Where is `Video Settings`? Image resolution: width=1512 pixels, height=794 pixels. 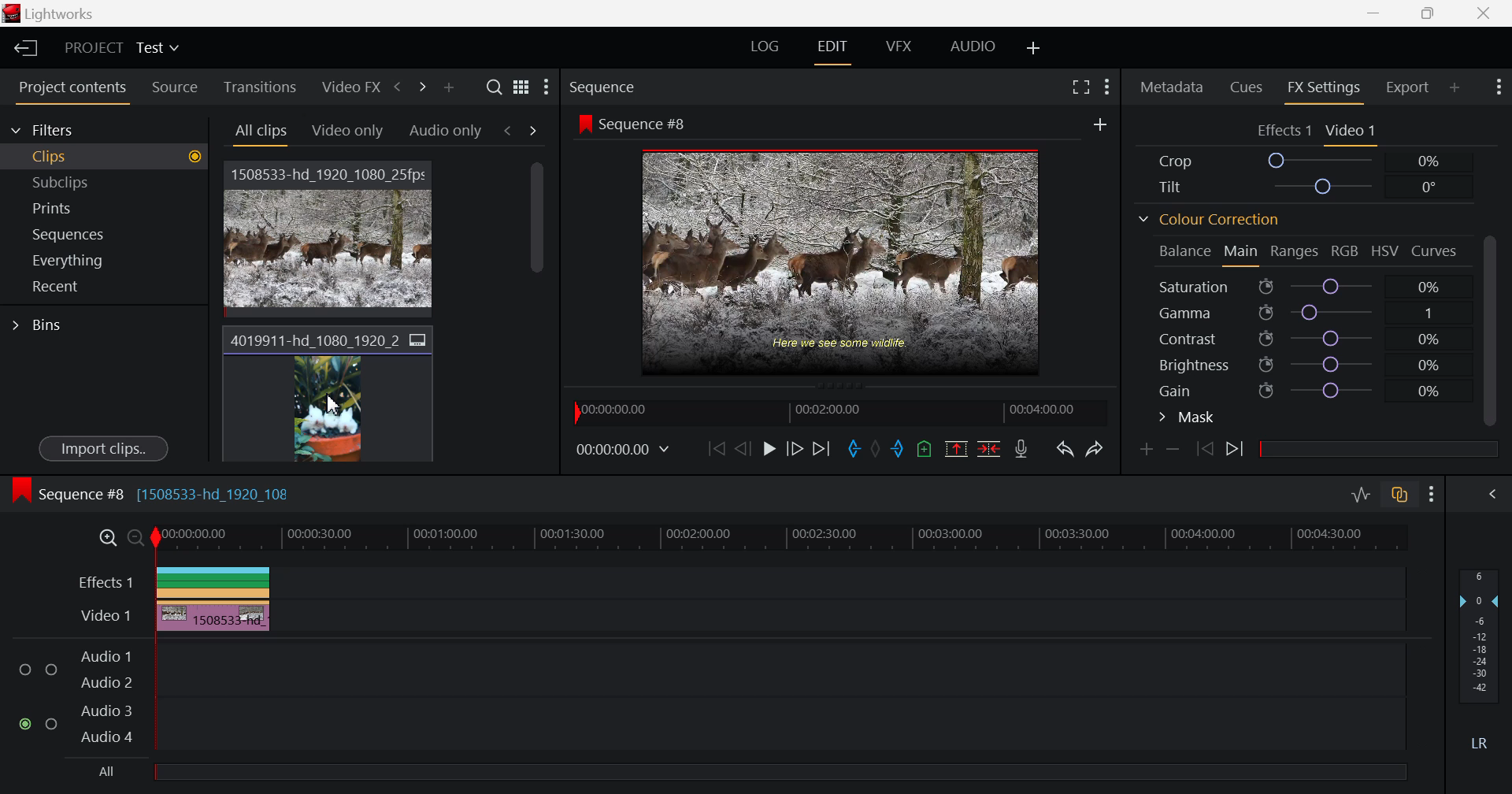 Video Settings is located at coordinates (1352, 132).